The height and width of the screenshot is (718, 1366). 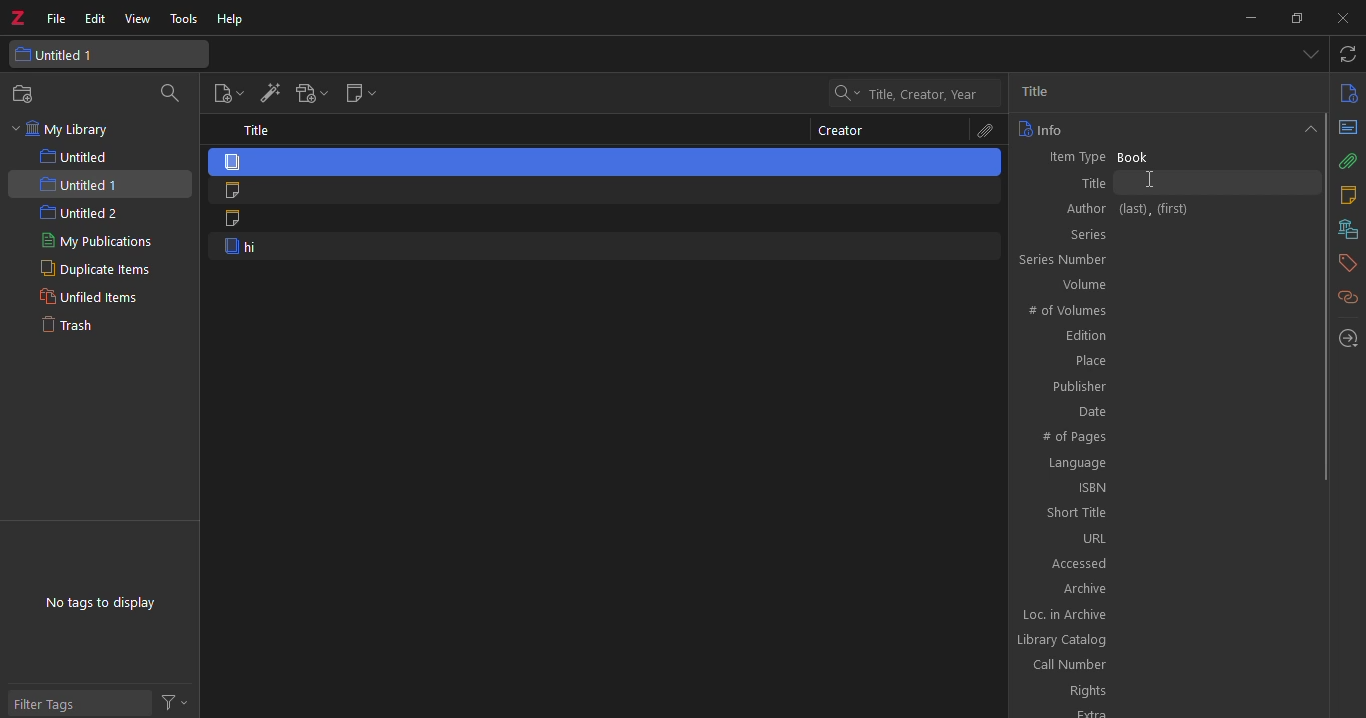 I want to click on item type: Book, so click(x=1162, y=155).